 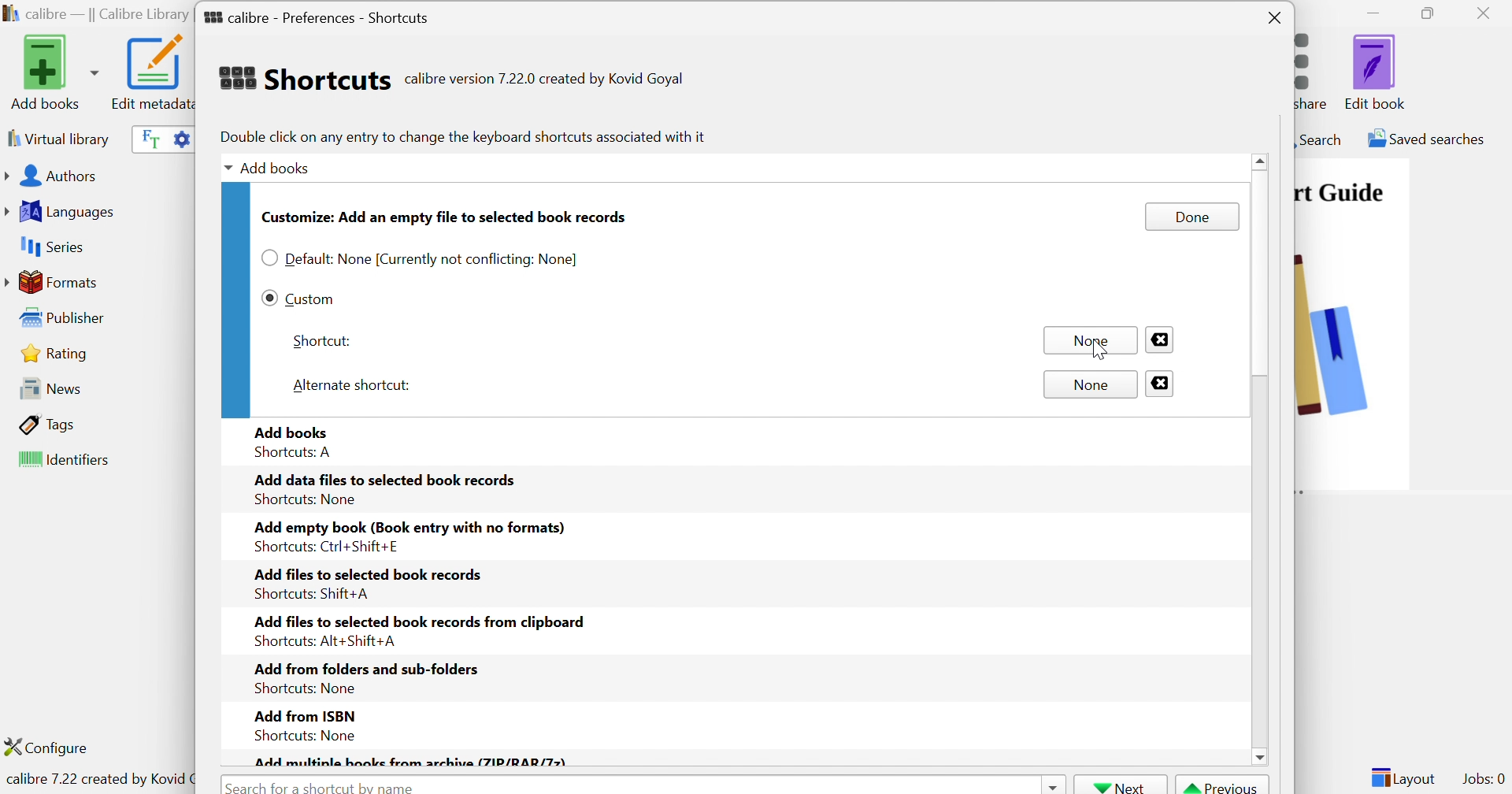 I want to click on Shortcuts: Shift+A, so click(x=310, y=594).